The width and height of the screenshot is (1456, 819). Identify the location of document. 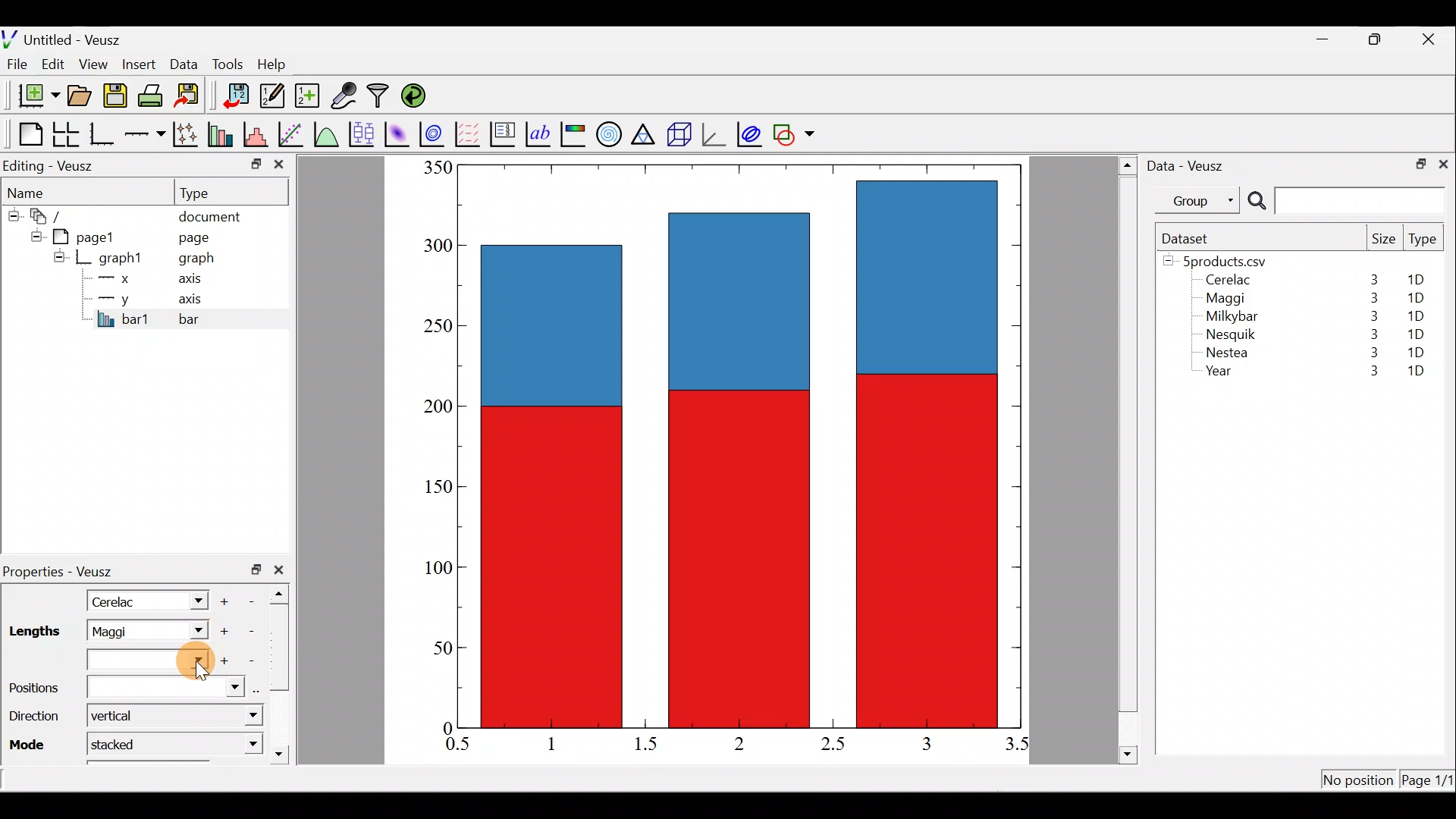
(209, 214).